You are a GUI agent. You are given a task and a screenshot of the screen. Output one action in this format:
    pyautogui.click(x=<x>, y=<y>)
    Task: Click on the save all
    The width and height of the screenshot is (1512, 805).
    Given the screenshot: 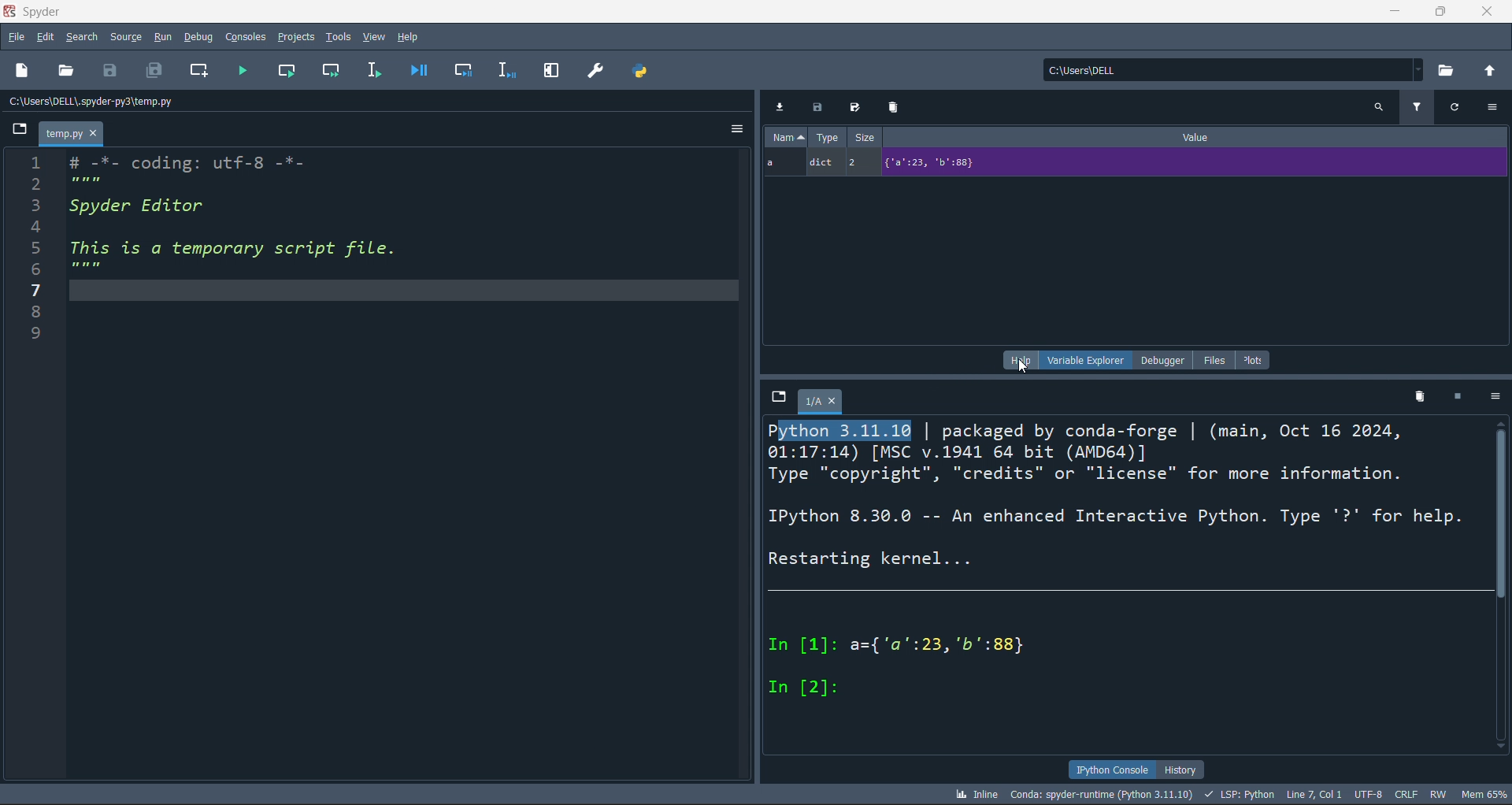 What is the action you would take?
    pyautogui.click(x=856, y=108)
    